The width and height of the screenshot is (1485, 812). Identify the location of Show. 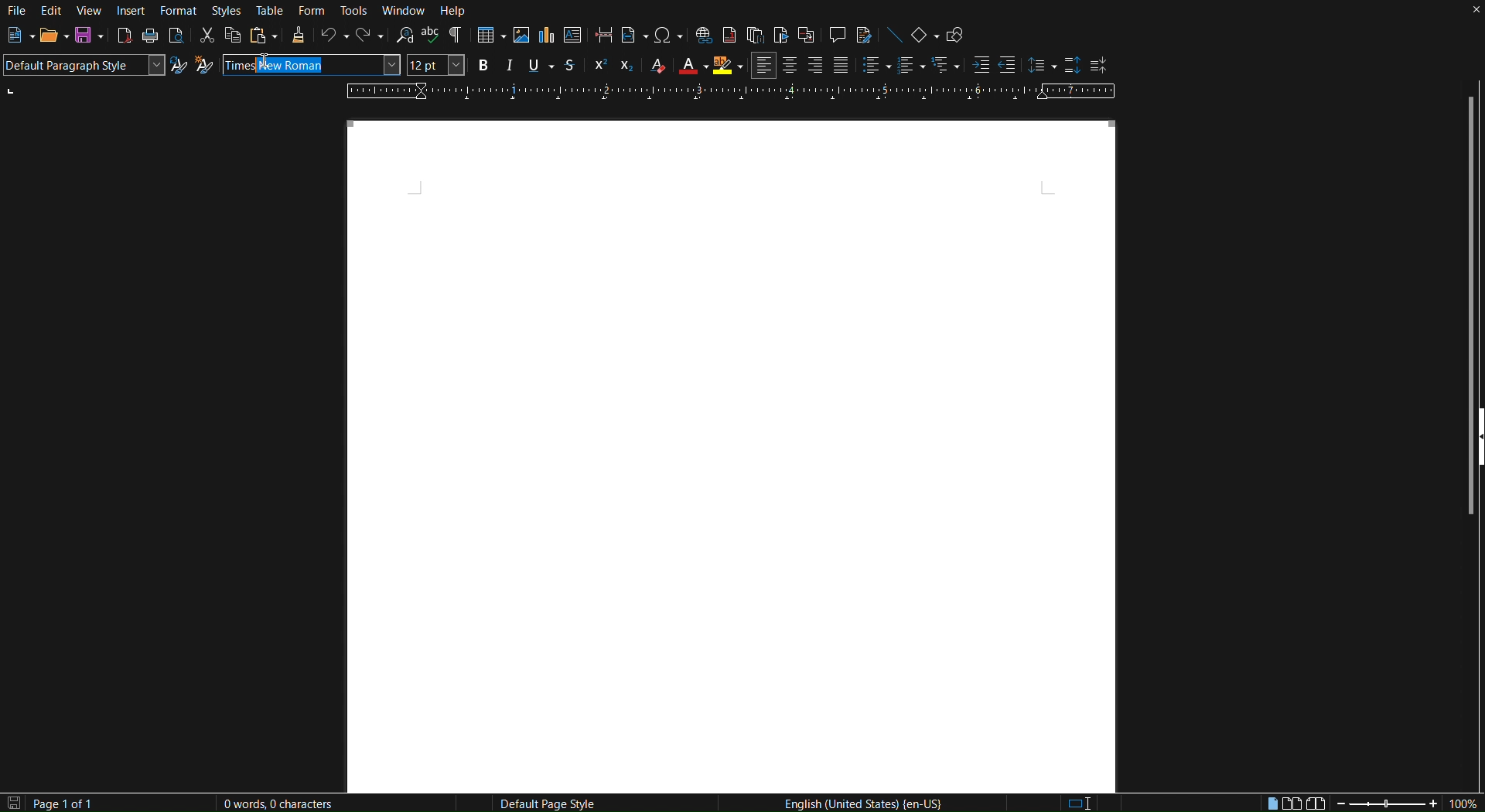
(1475, 464).